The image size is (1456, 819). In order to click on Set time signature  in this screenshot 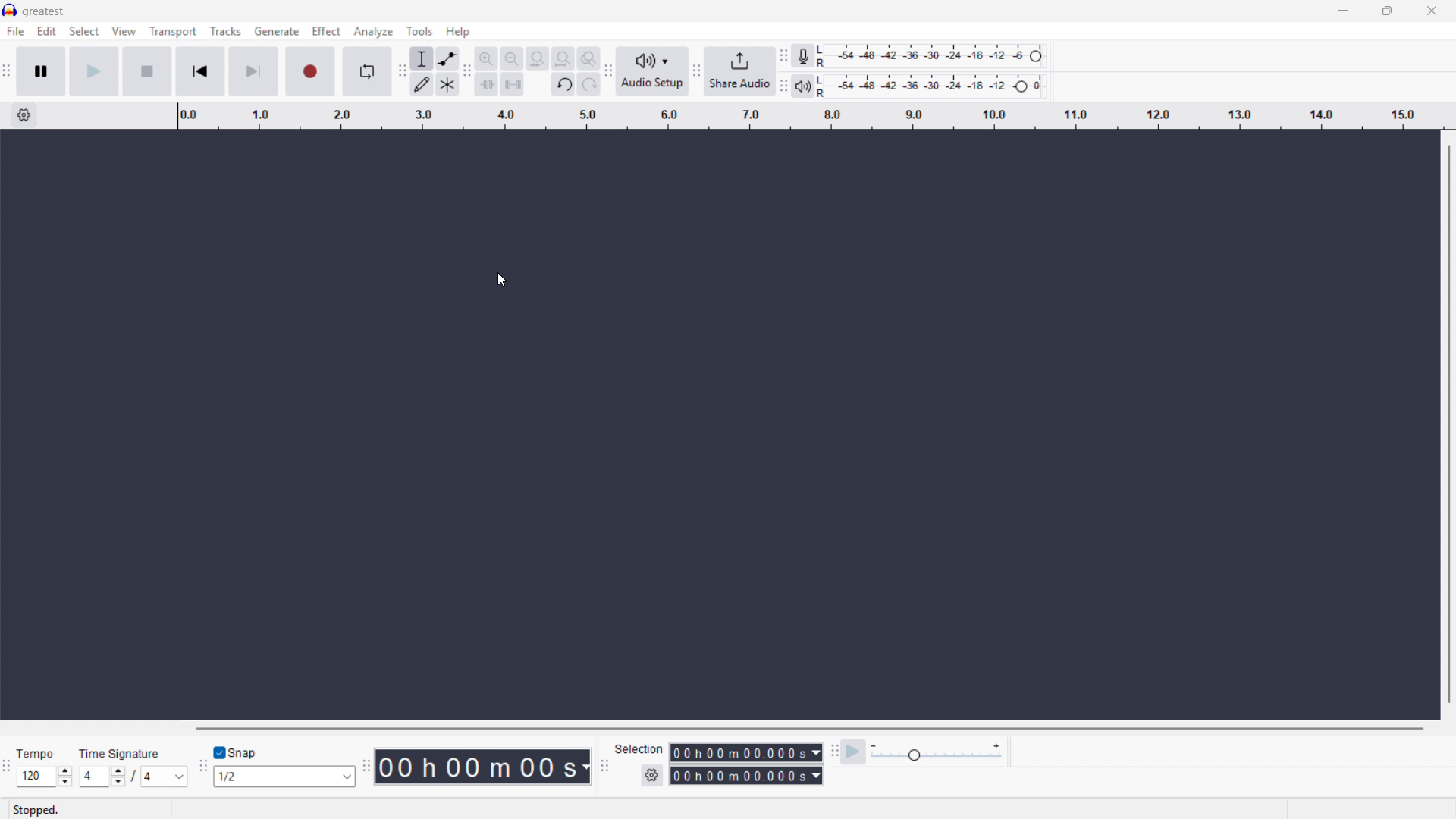, I will do `click(133, 777)`.